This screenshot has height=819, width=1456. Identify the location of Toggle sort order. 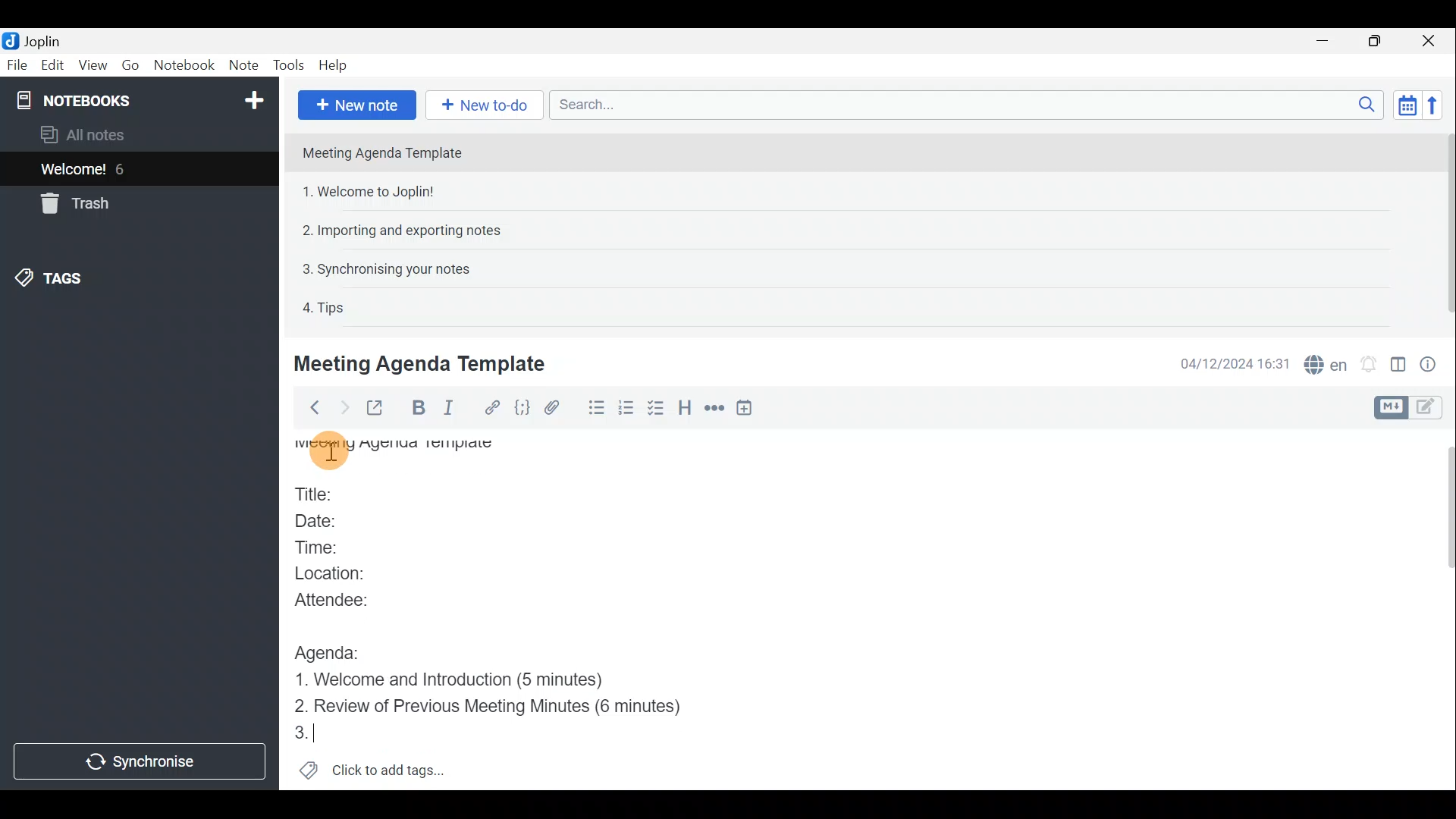
(1404, 103).